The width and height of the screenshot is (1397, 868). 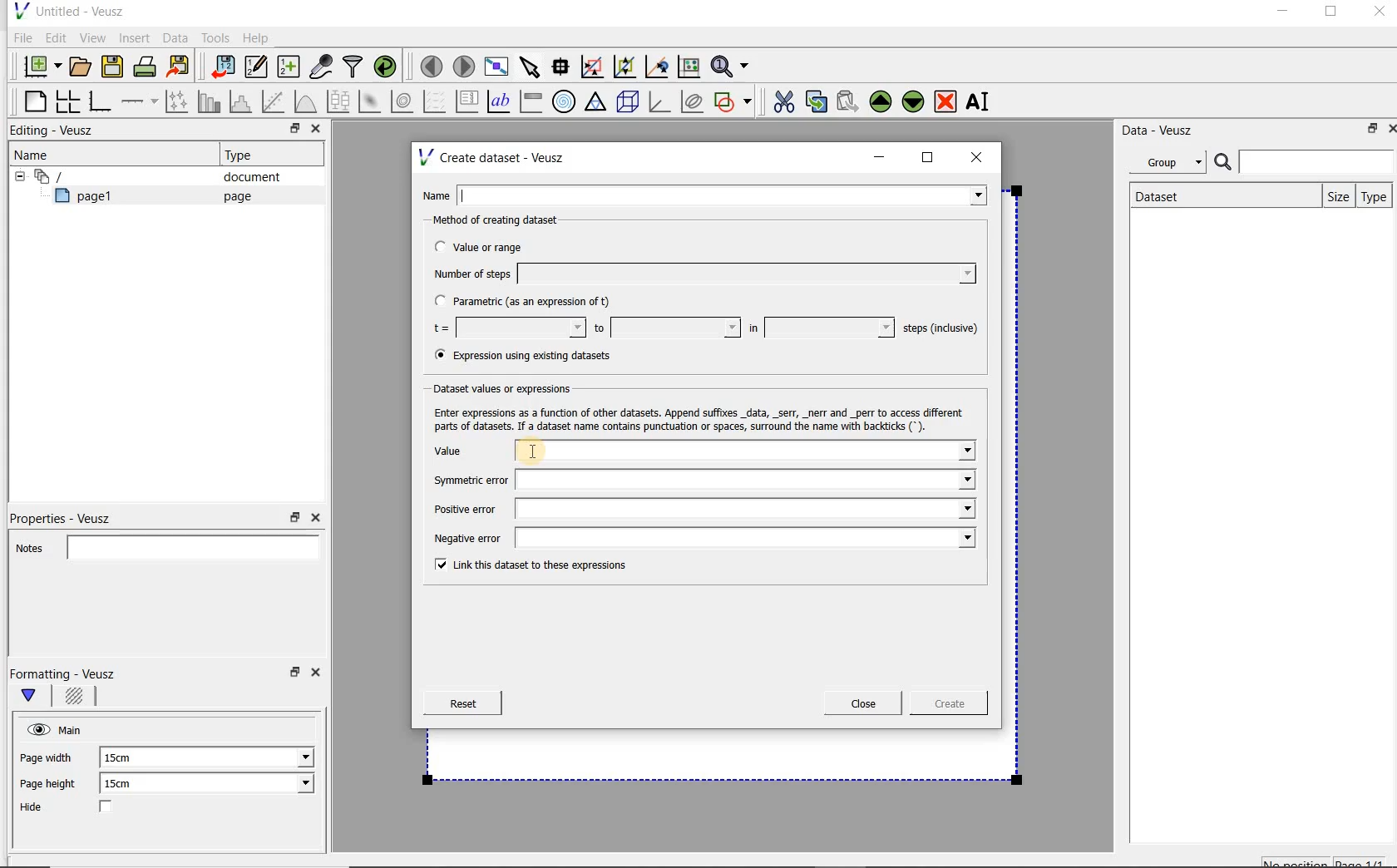 I want to click on page, so click(x=234, y=196).